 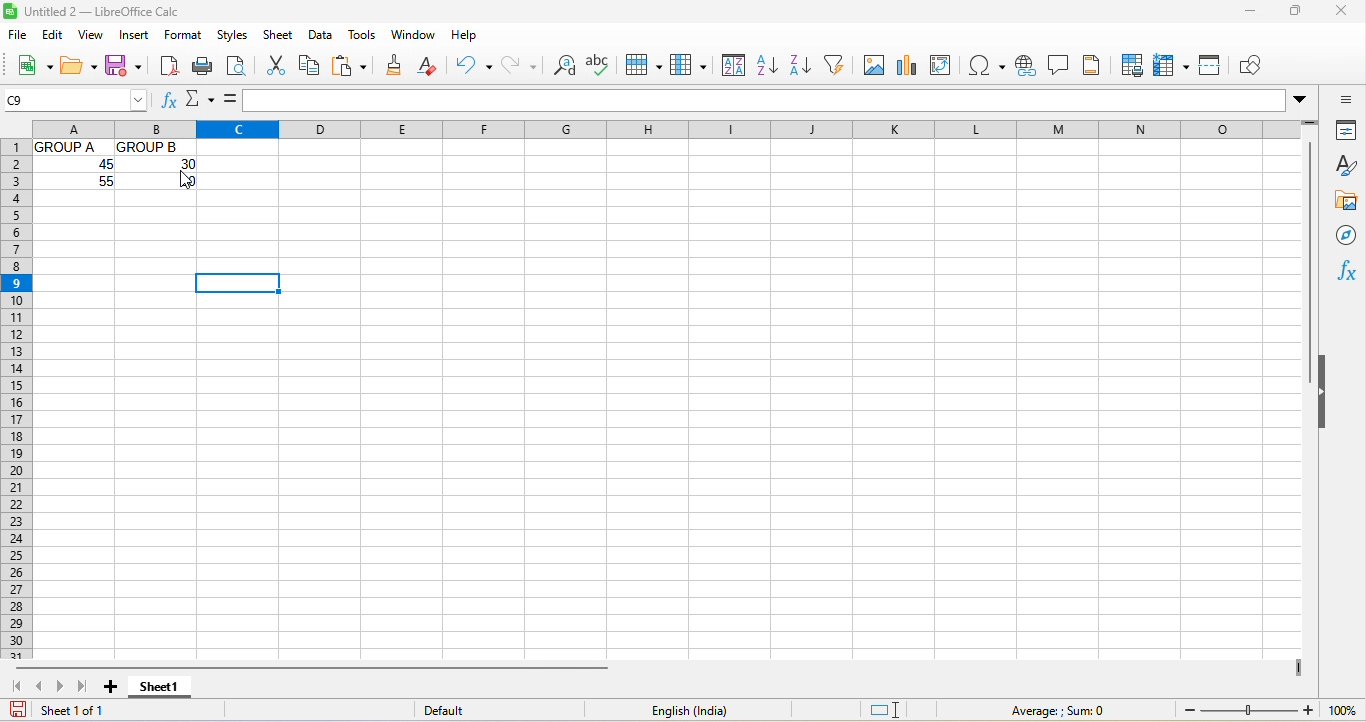 What do you see at coordinates (54, 37) in the screenshot?
I see `edit` at bounding box center [54, 37].